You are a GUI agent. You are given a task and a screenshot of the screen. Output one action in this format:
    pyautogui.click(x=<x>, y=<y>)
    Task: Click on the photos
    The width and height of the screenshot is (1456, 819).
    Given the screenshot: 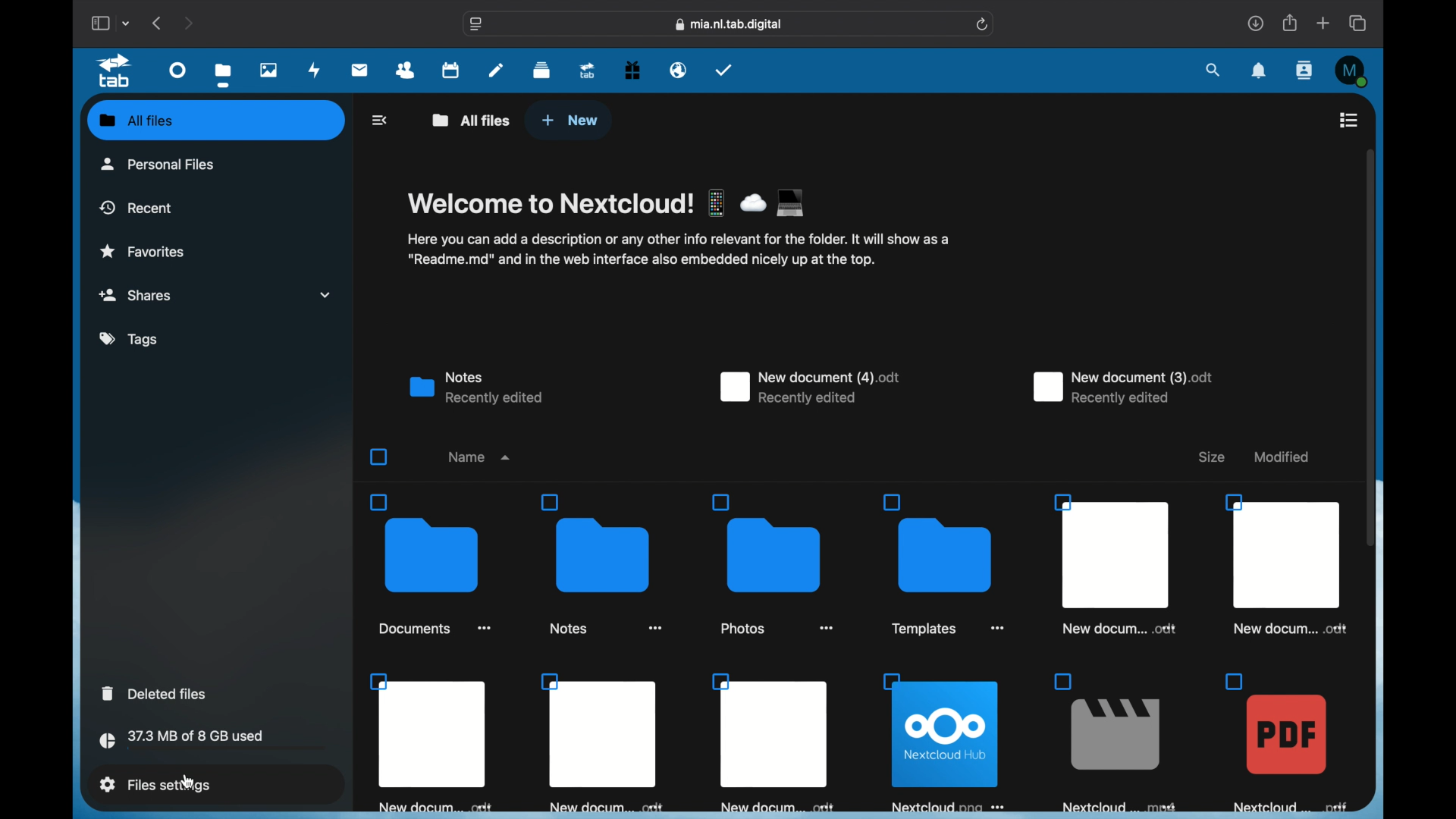 What is the action you would take?
    pyautogui.click(x=268, y=69)
    